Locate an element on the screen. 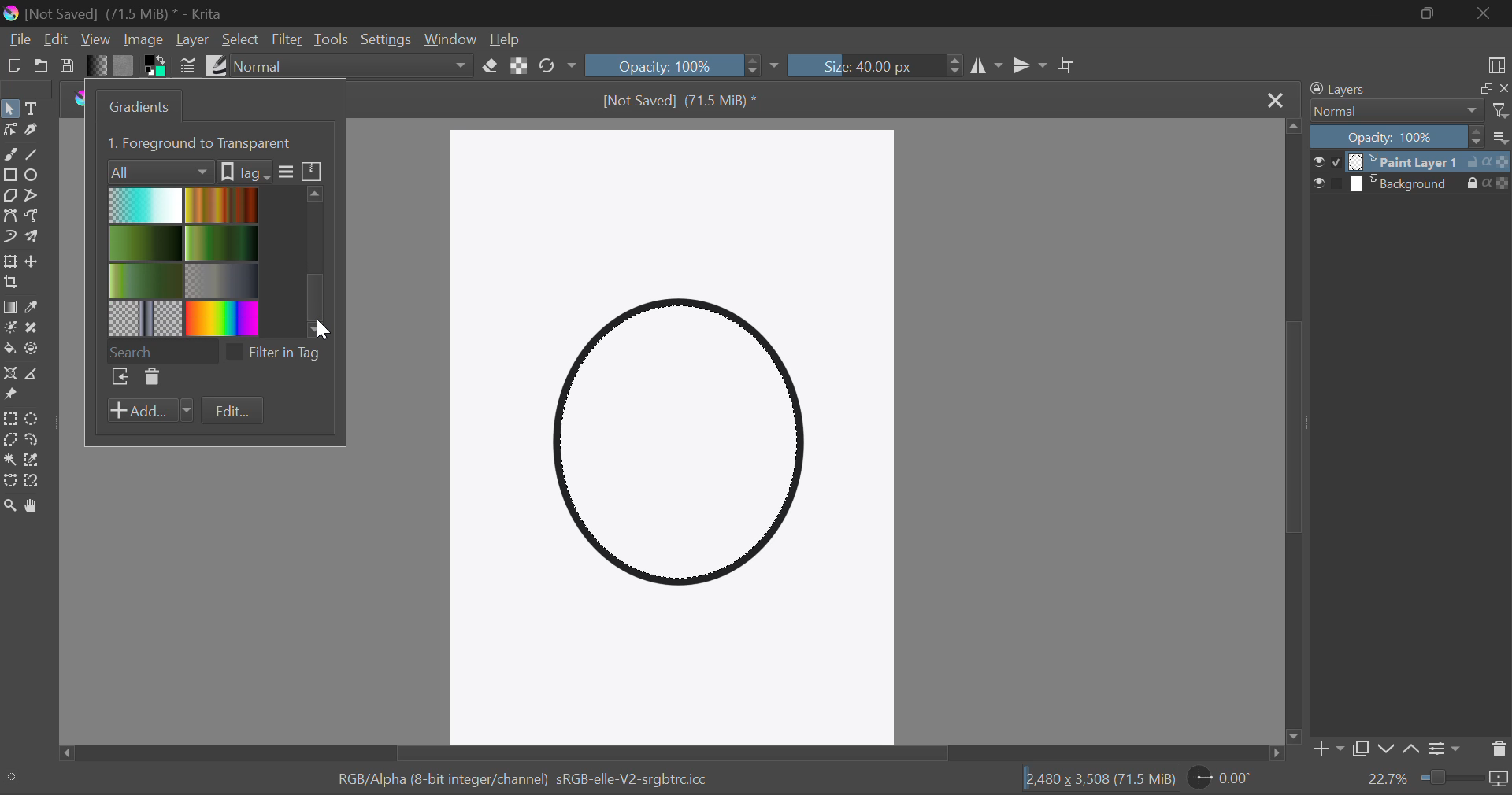 The height and width of the screenshot is (795, 1512). Filters is located at coordinates (156, 172).